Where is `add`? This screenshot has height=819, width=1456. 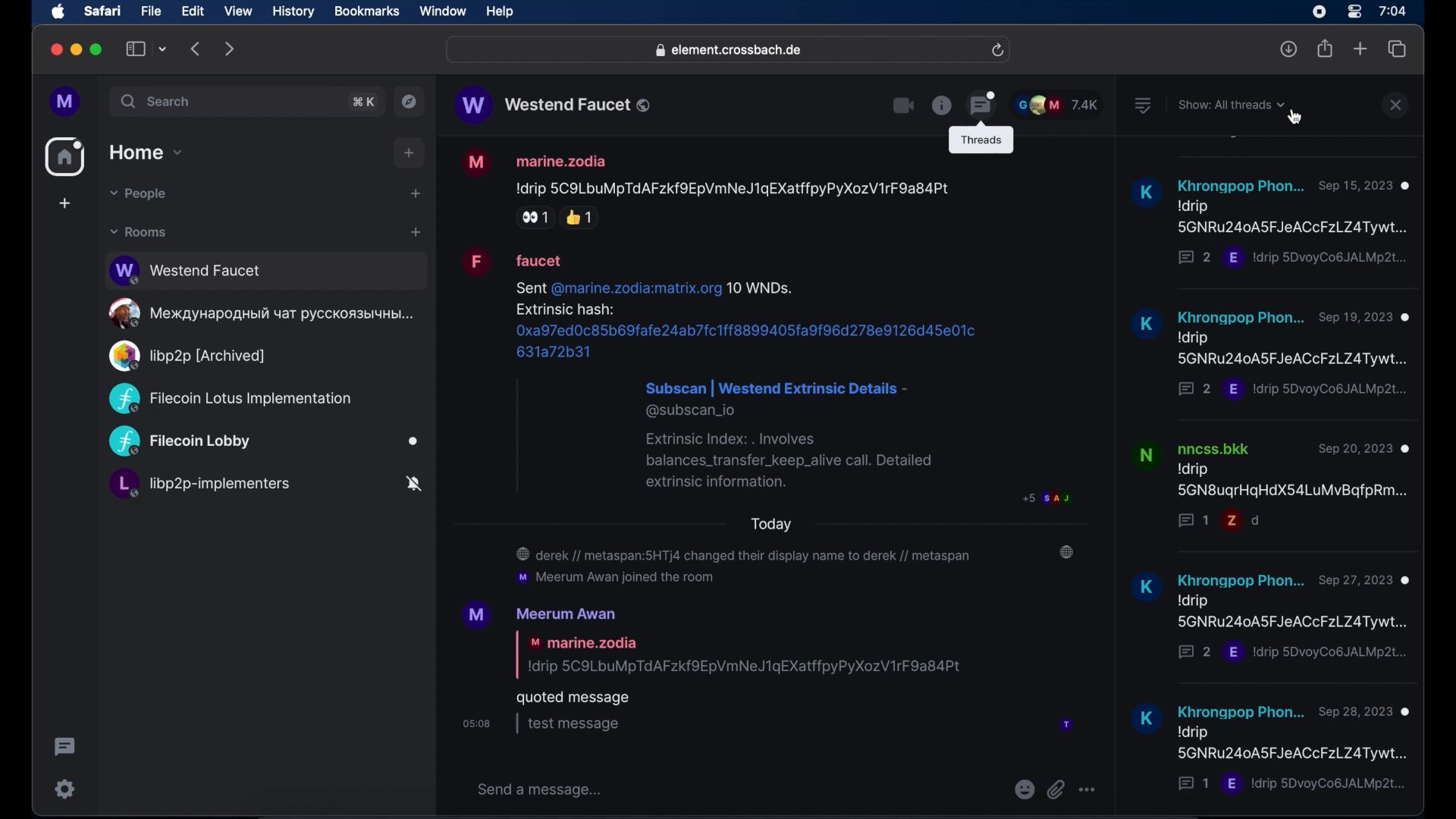 add is located at coordinates (409, 153).